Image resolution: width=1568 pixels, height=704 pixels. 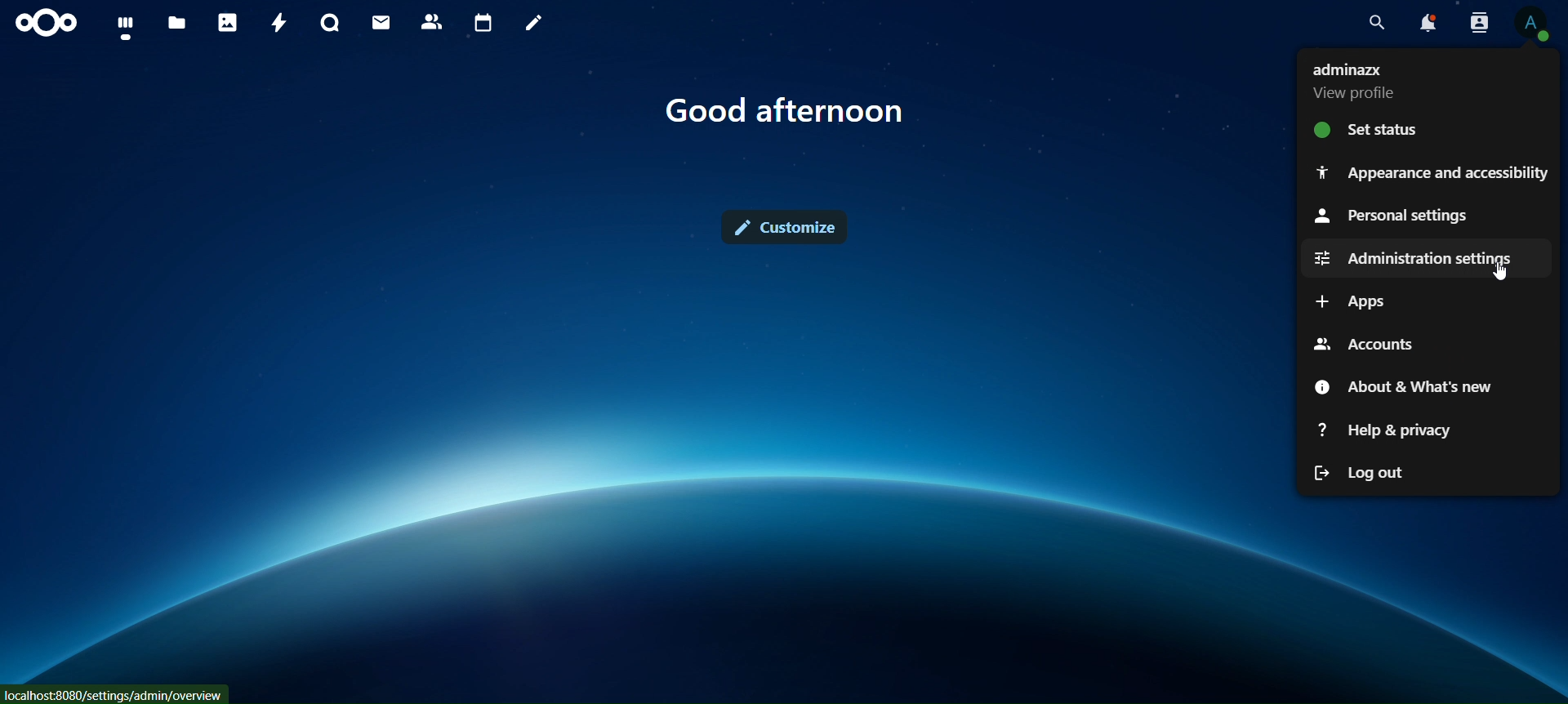 What do you see at coordinates (1477, 23) in the screenshot?
I see `search contacts` at bounding box center [1477, 23].